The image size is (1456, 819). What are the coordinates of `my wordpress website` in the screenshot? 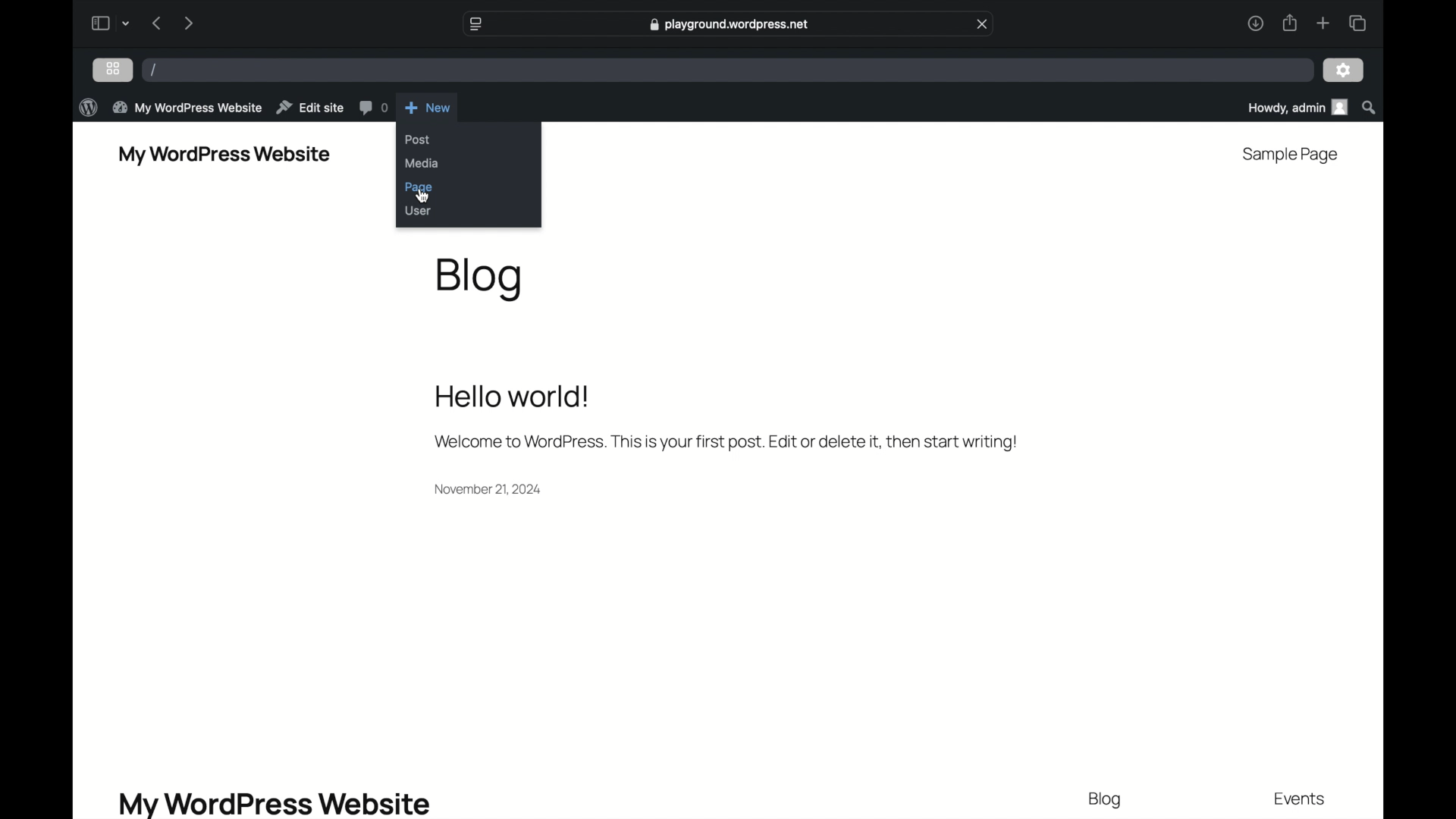 It's located at (224, 154).